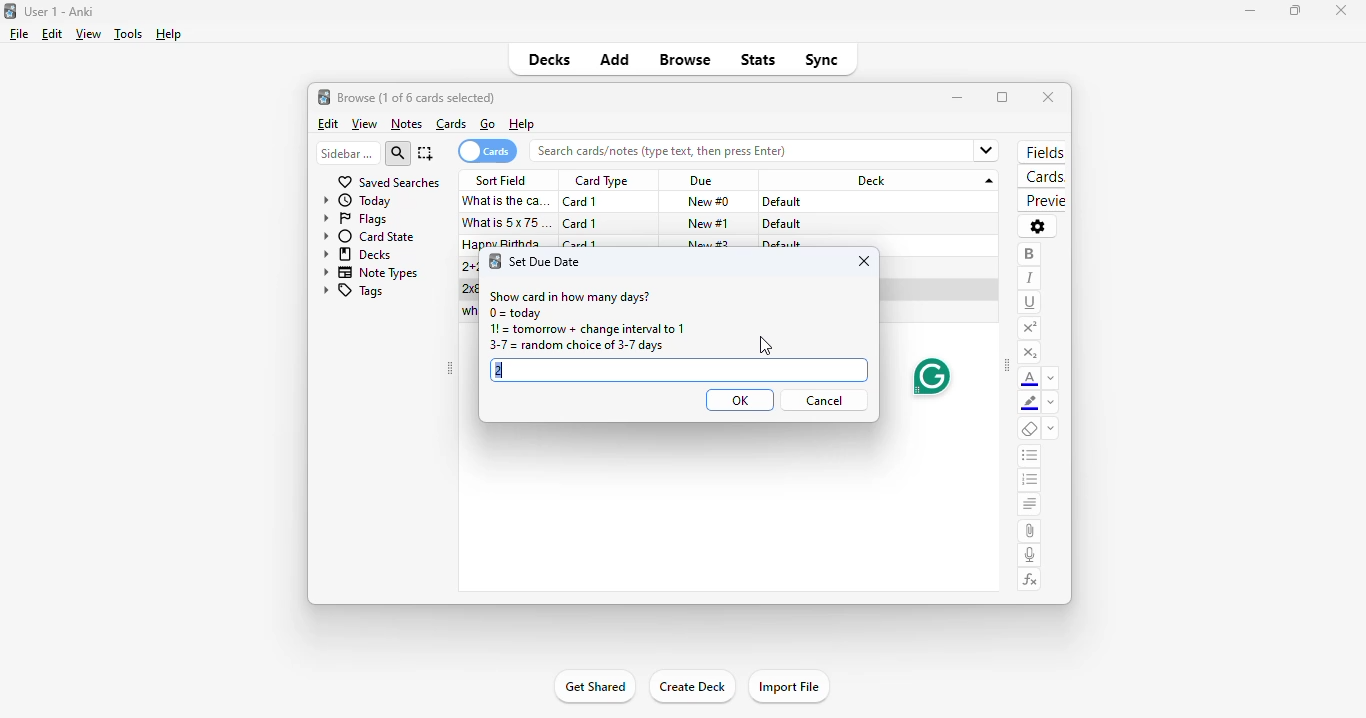  Describe the element at coordinates (783, 202) in the screenshot. I see `default` at that location.